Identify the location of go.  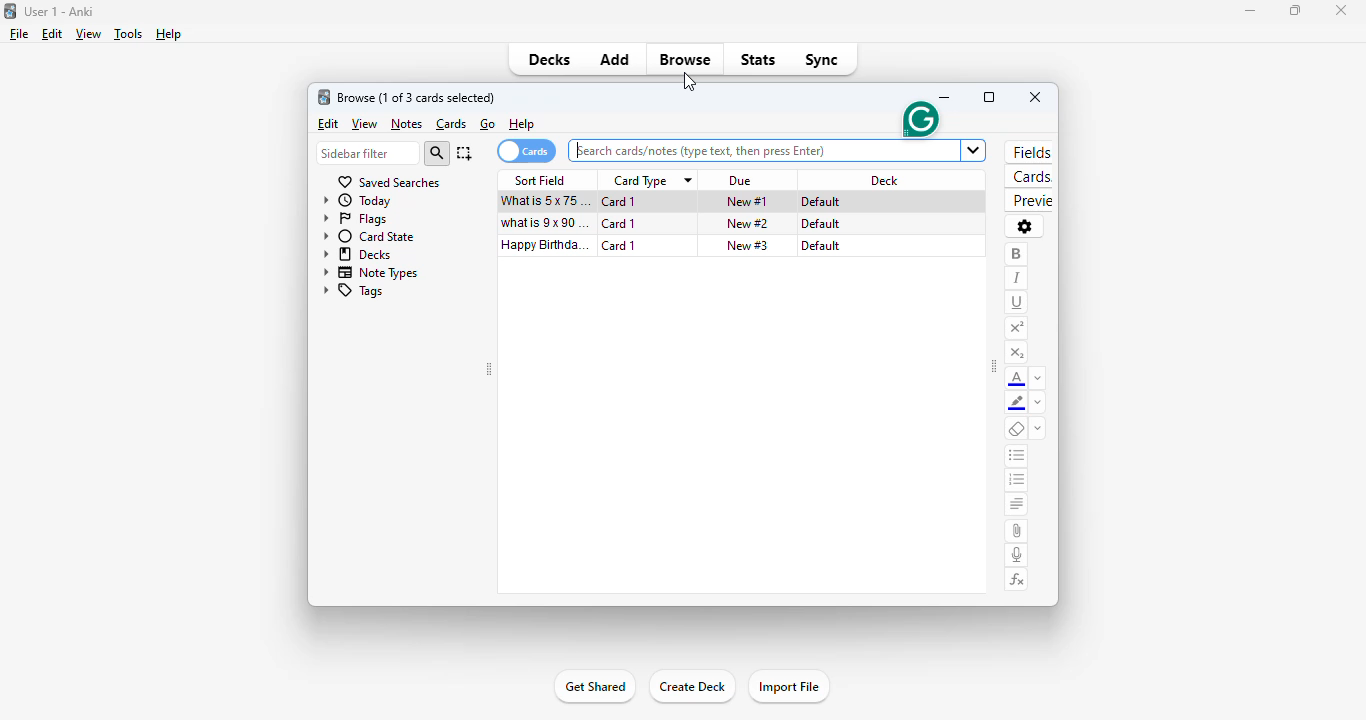
(488, 124).